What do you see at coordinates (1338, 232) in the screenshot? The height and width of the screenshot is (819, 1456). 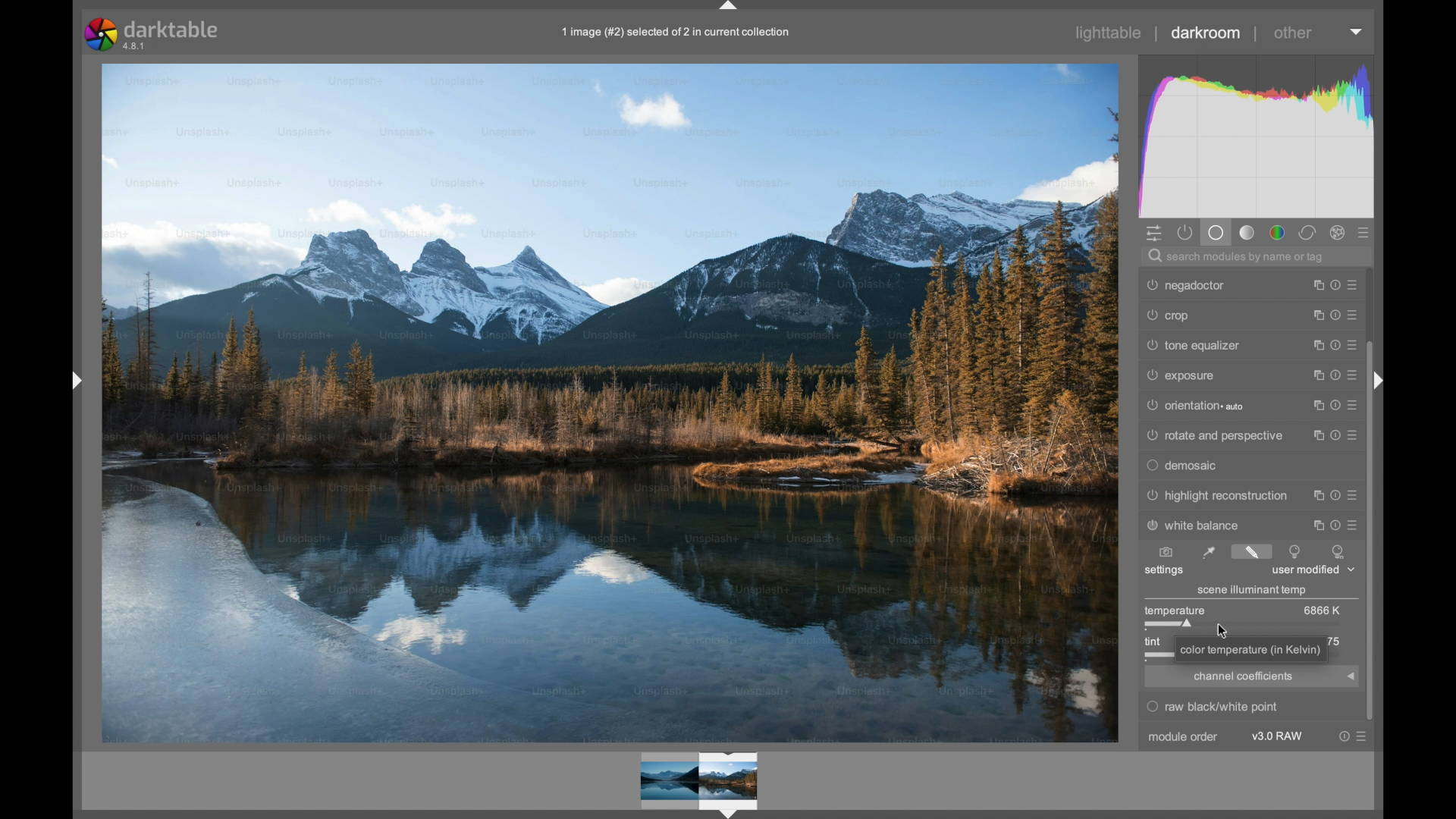 I see `effect` at bounding box center [1338, 232].